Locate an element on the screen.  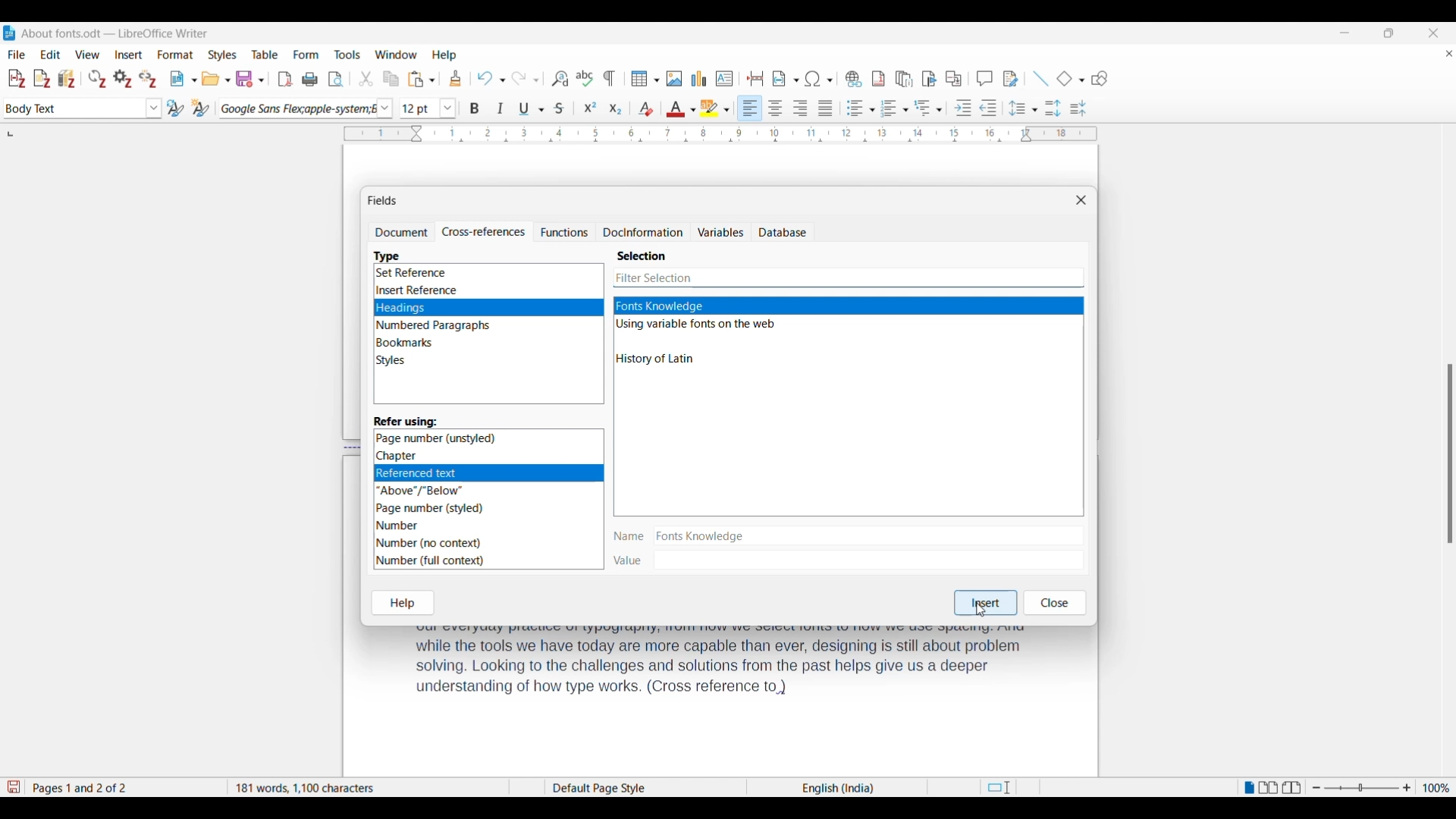
Current paragraph selection is located at coordinates (74, 109).